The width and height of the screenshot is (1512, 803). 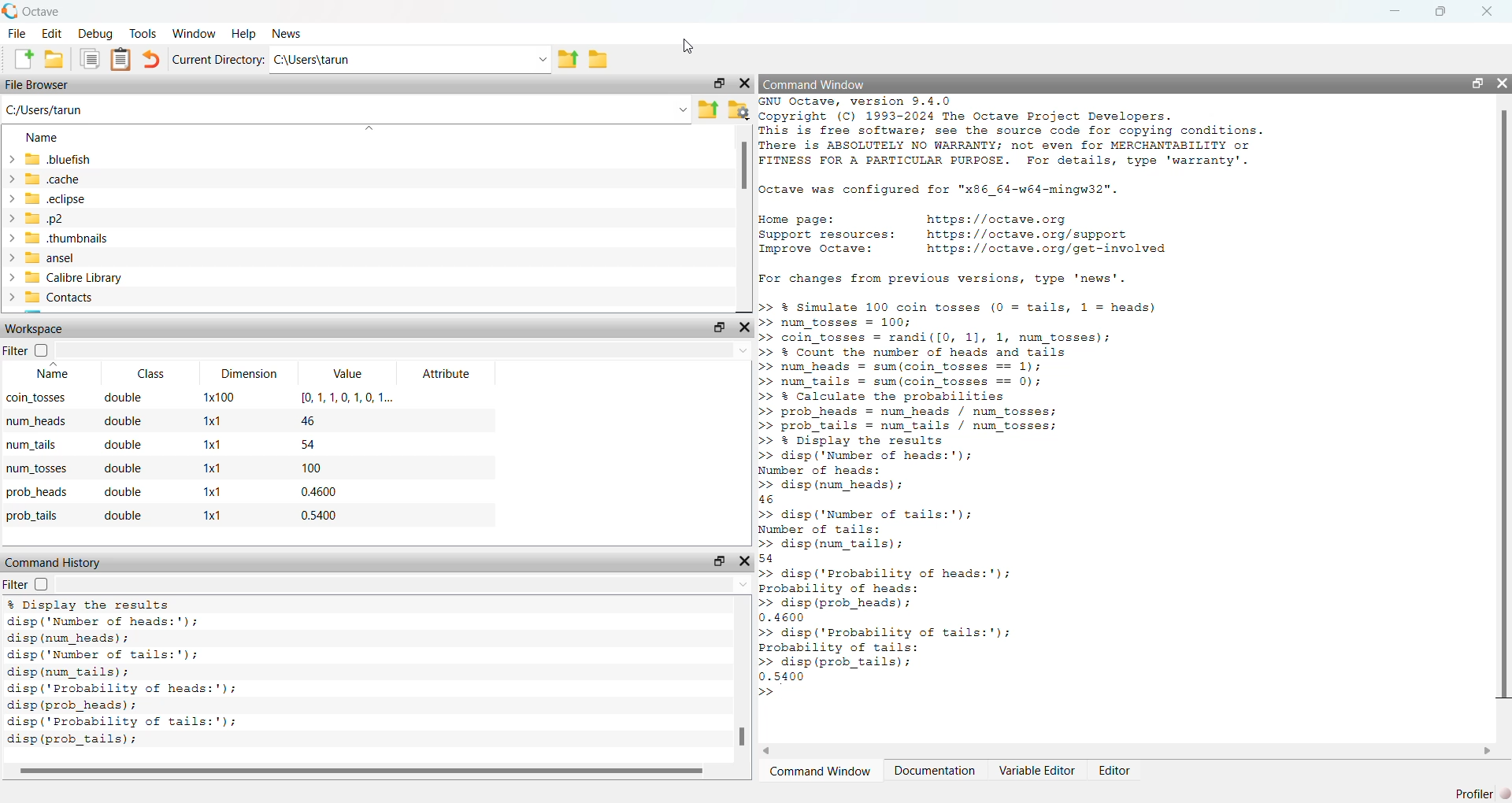 I want to click on Variable Editor, so click(x=1036, y=771).